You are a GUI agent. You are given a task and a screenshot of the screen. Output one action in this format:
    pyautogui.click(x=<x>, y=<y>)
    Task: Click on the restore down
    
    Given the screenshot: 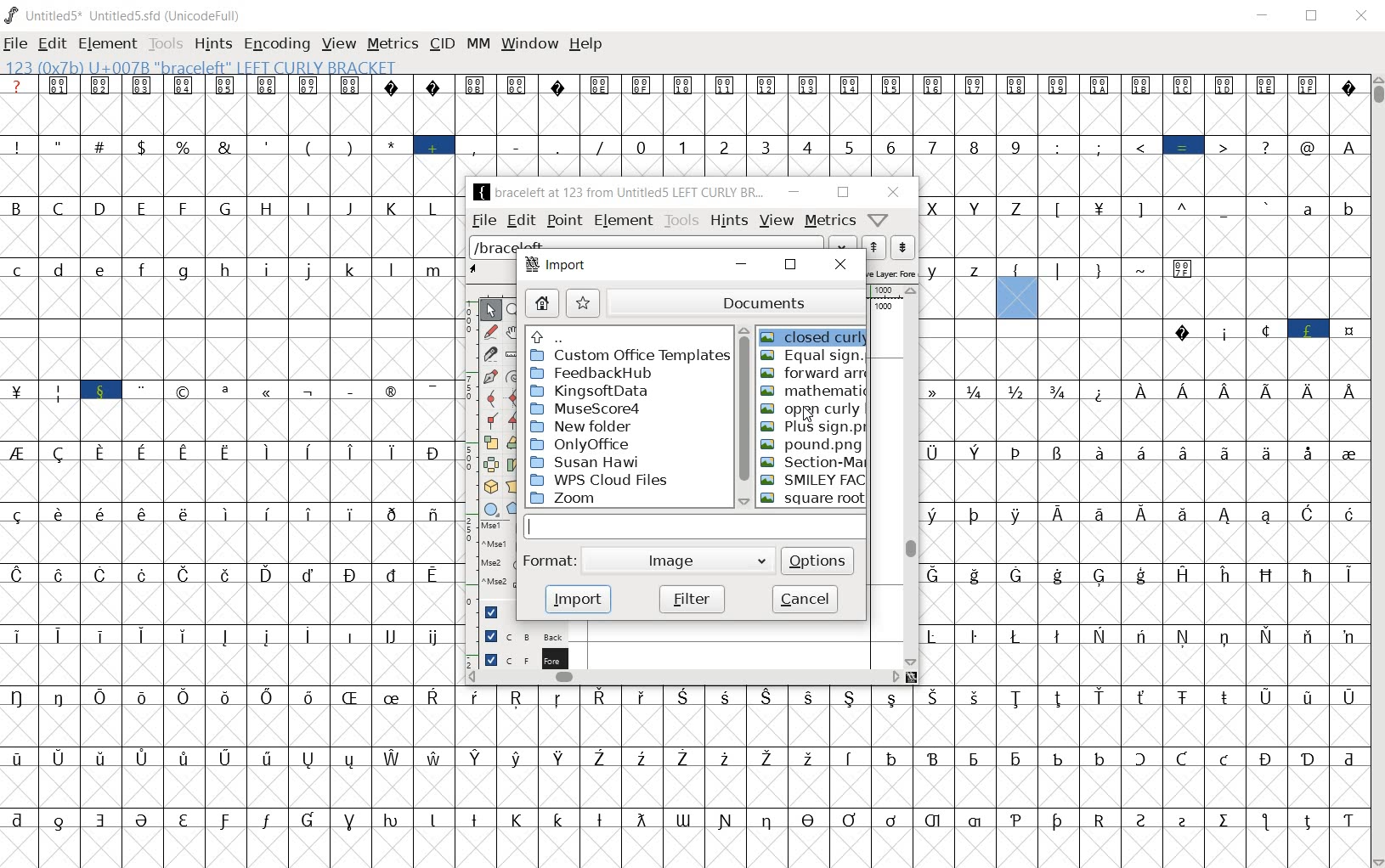 What is the action you would take?
    pyautogui.click(x=789, y=268)
    